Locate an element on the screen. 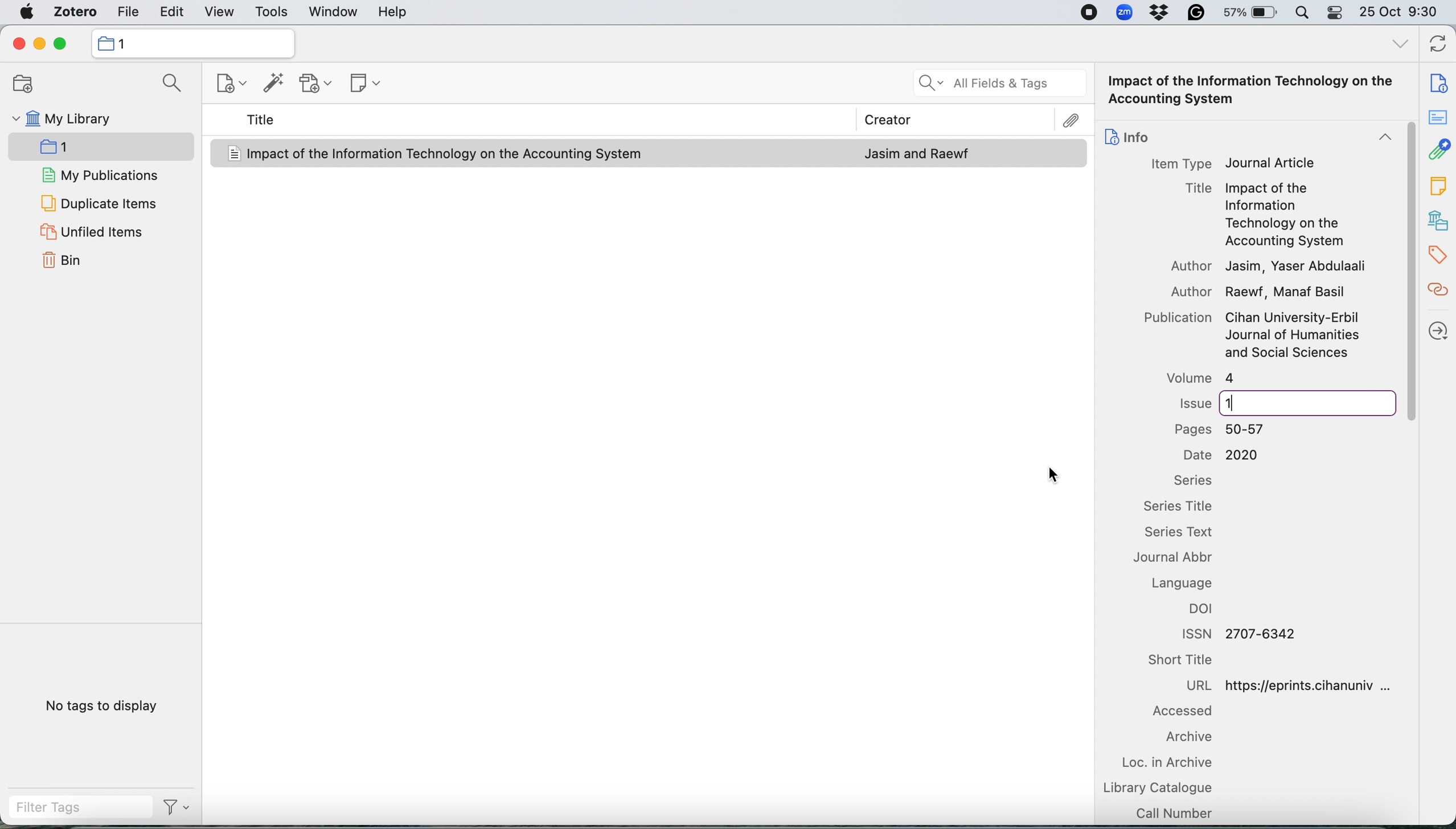 The image size is (1456, 829). date 2020 is located at coordinates (1221, 455).